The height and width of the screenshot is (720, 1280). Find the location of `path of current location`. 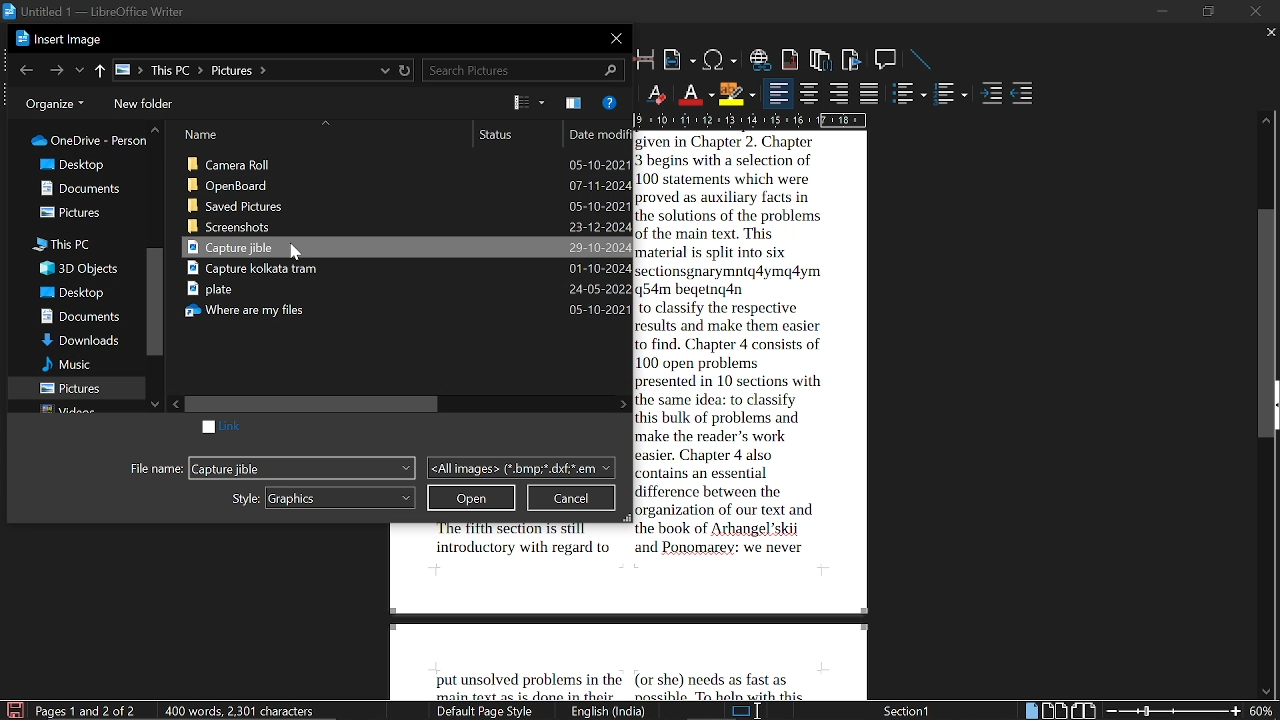

path of current location is located at coordinates (192, 70).